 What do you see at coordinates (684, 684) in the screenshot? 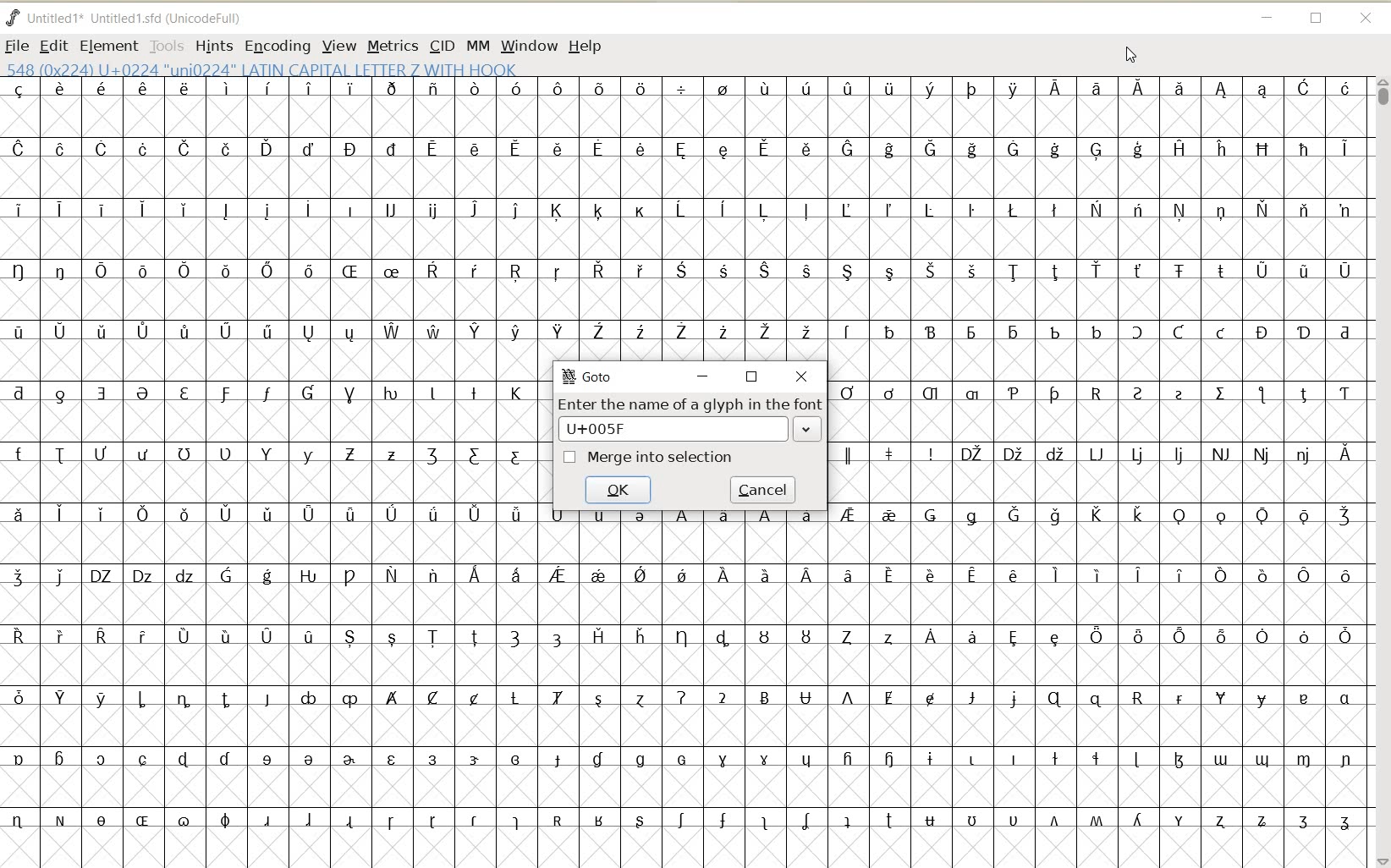
I see `GLYPHY CHARACTERS & NUMBERS` at bounding box center [684, 684].